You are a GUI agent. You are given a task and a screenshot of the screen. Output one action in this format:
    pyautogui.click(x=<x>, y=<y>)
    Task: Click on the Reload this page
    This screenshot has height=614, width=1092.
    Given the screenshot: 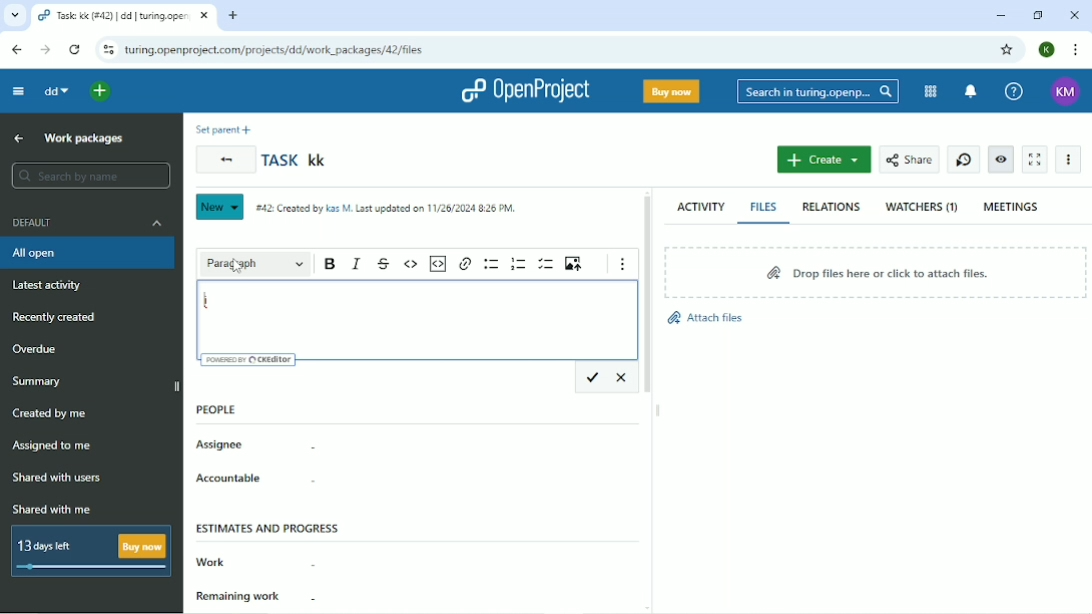 What is the action you would take?
    pyautogui.click(x=75, y=48)
    